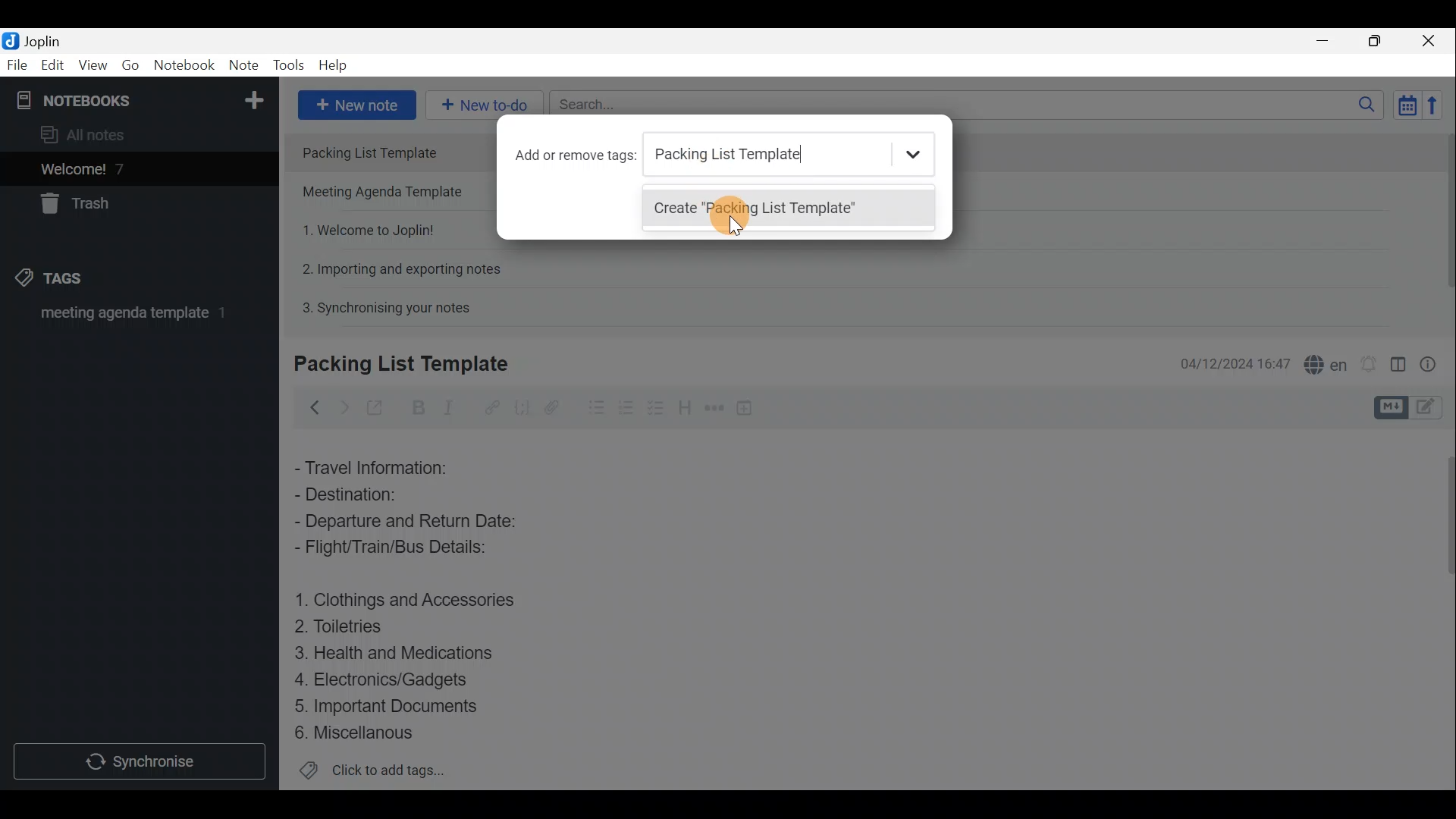 This screenshot has width=1456, height=819. Describe the element at coordinates (1322, 362) in the screenshot. I see `Spell checker` at that location.